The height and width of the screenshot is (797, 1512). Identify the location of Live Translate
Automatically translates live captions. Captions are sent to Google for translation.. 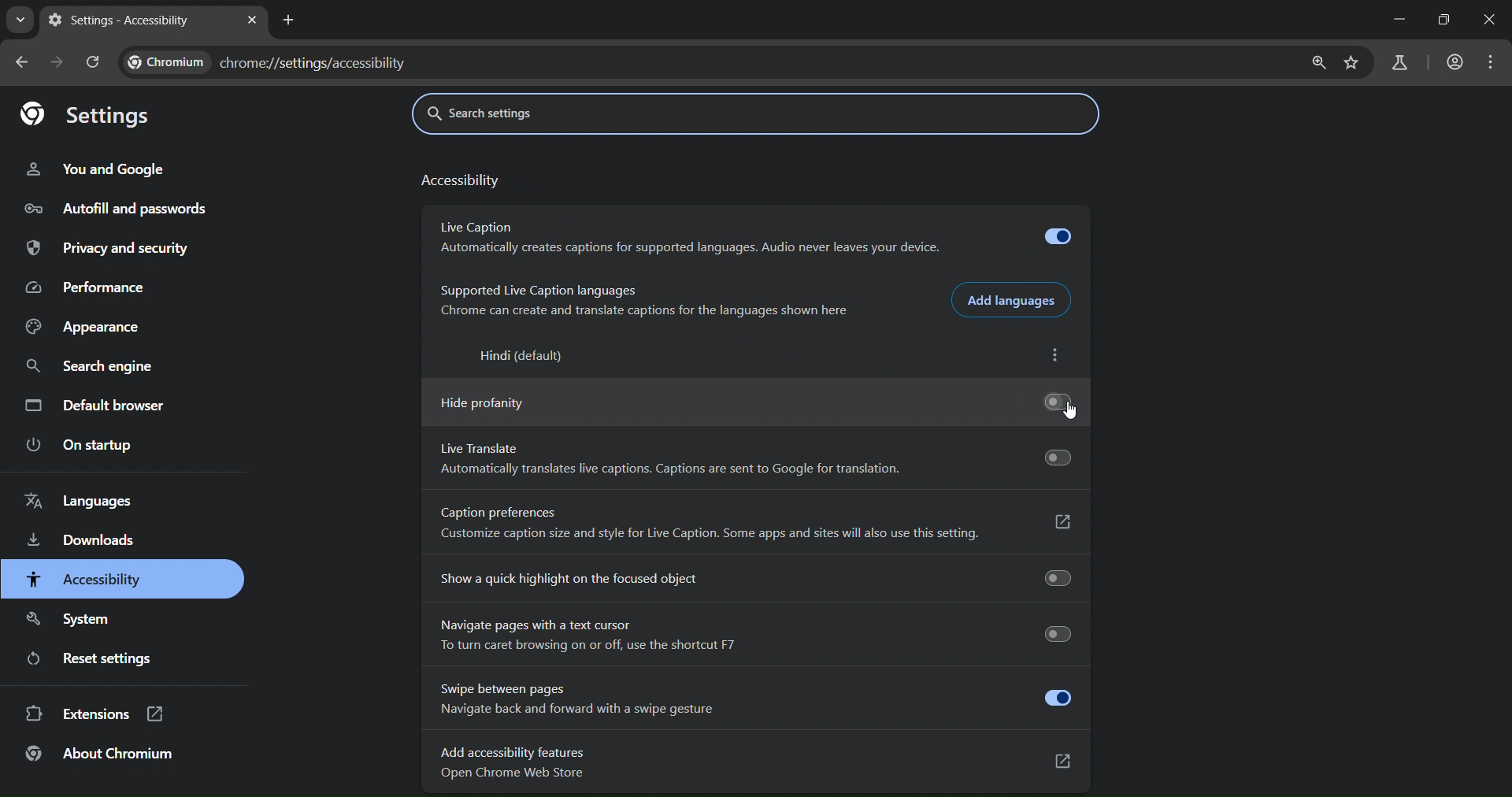
(756, 461).